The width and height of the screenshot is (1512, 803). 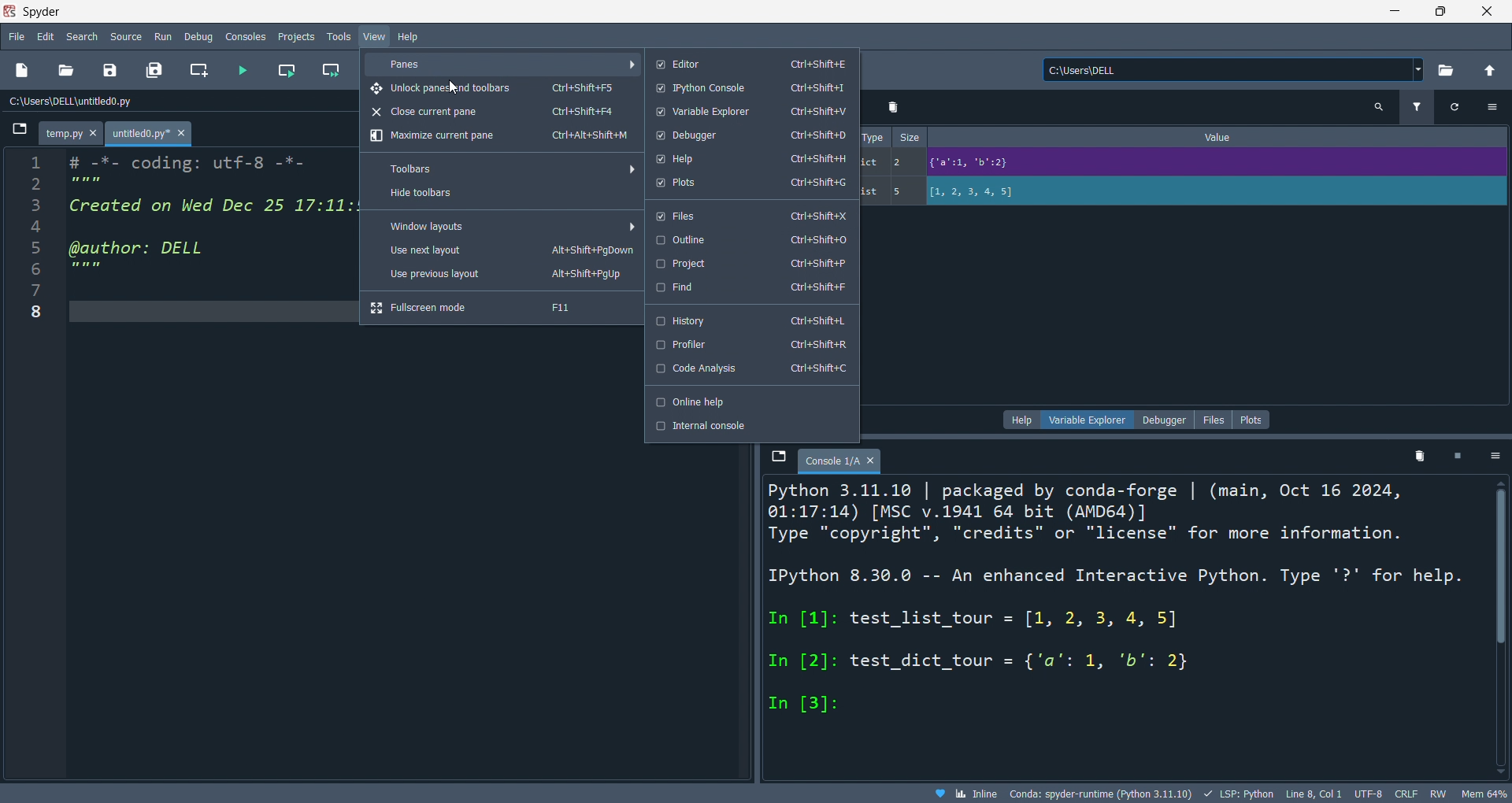 What do you see at coordinates (840, 461) in the screenshot?
I see `tab` at bounding box center [840, 461].